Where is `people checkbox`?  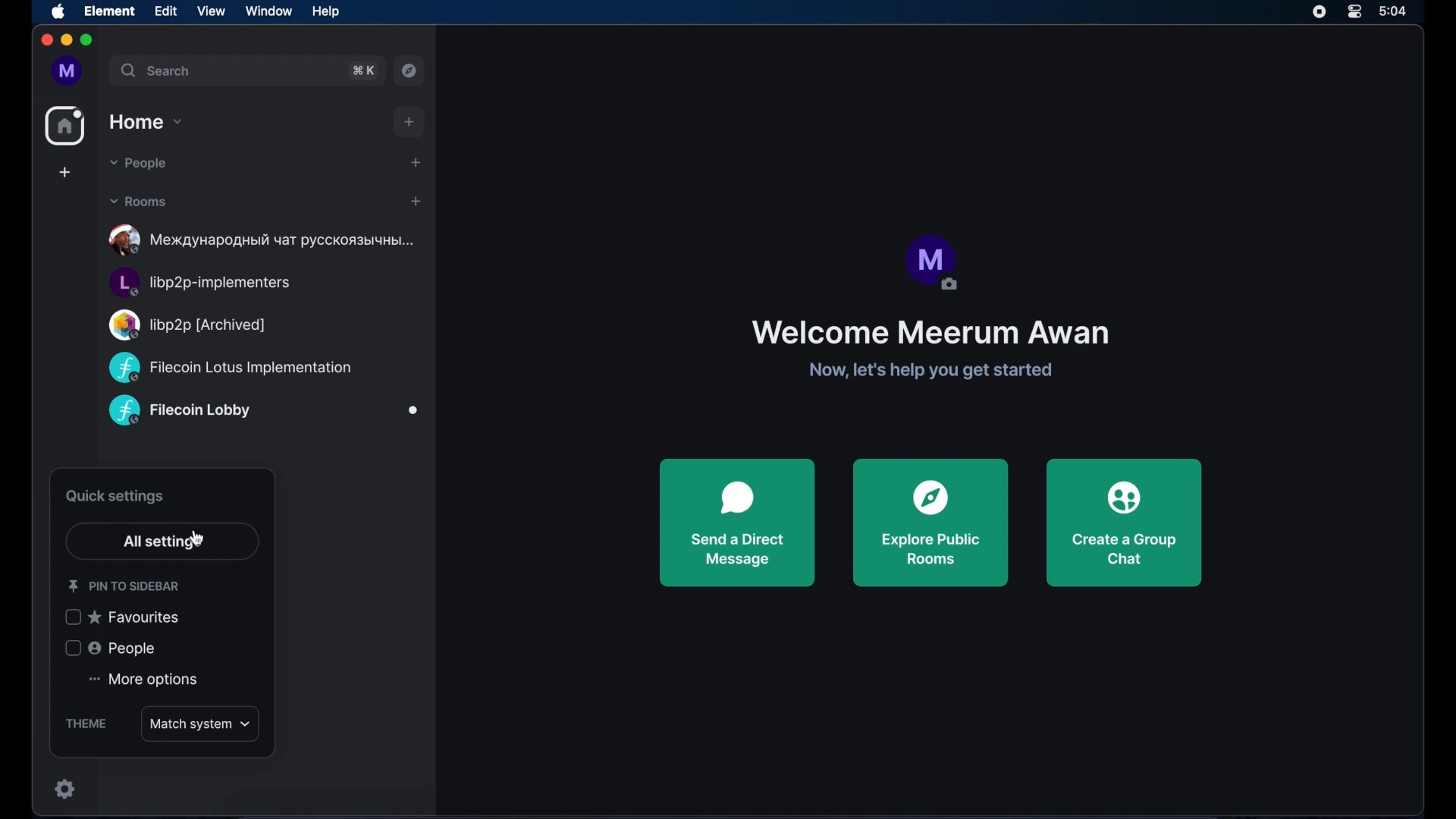
people checkbox is located at coordinates (108, 648).